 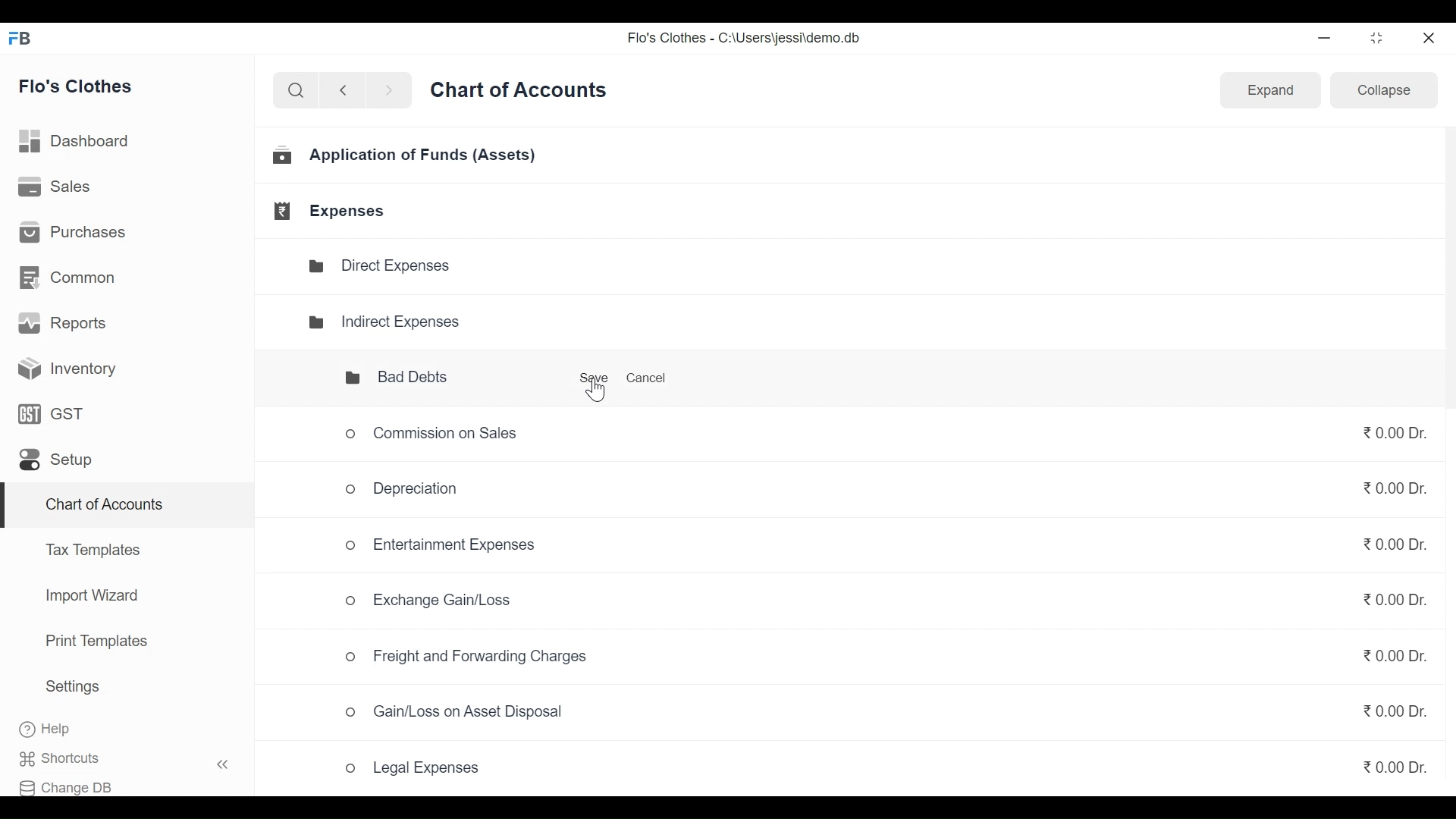 I want to click on Cursor, so click(x=588, y=388).